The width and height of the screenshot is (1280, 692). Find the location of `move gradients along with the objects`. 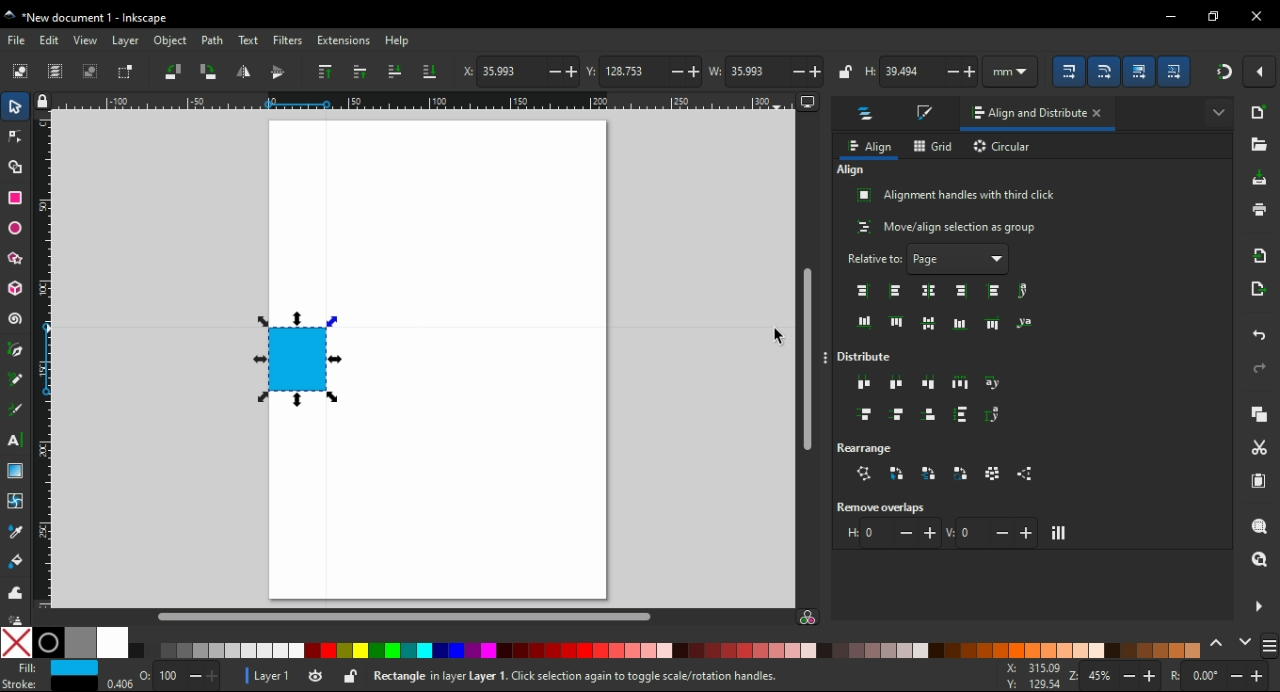

move gradients along with the objects is located at coordinates (1138, 71).